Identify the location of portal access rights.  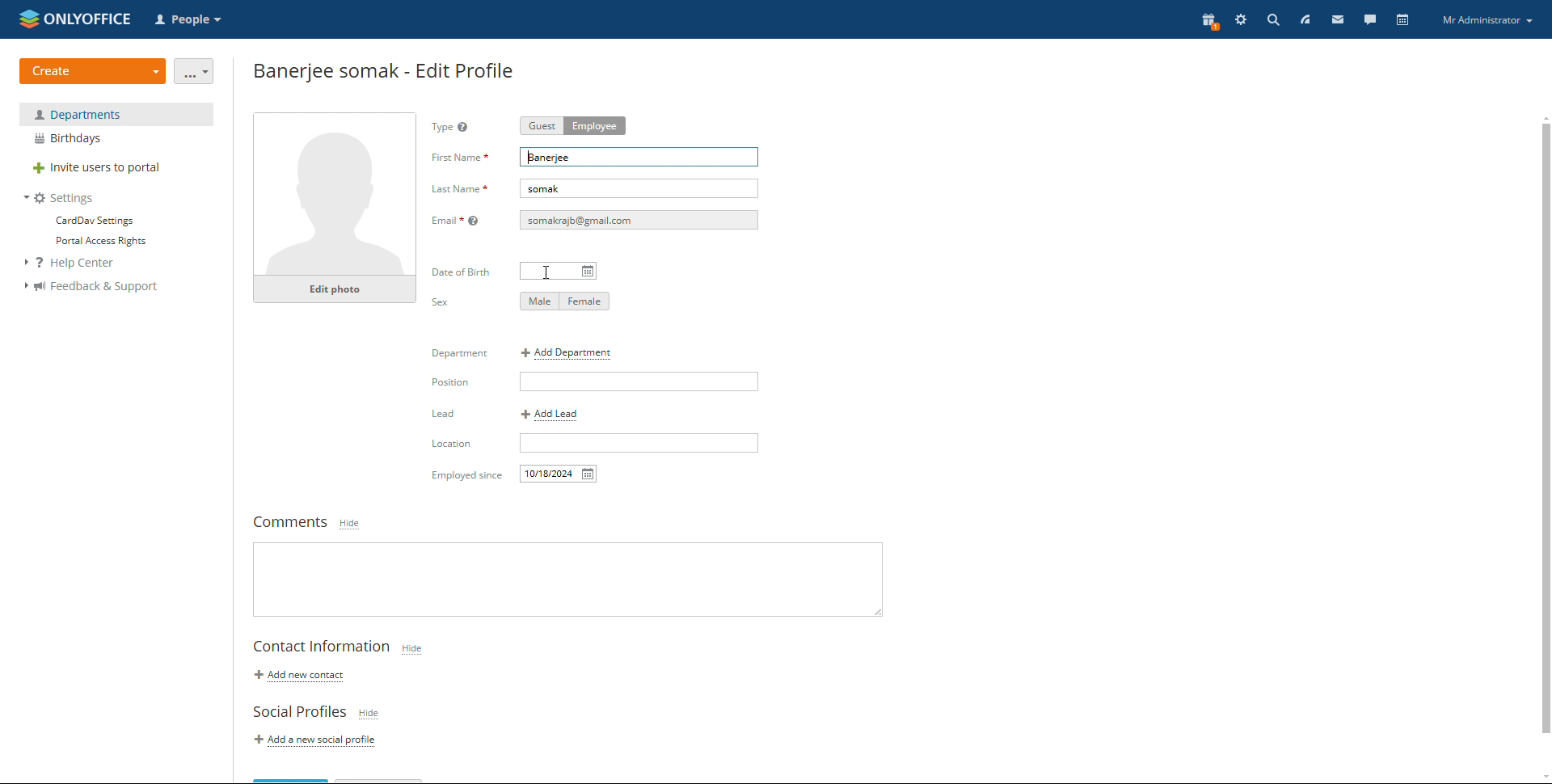
(95, 242).